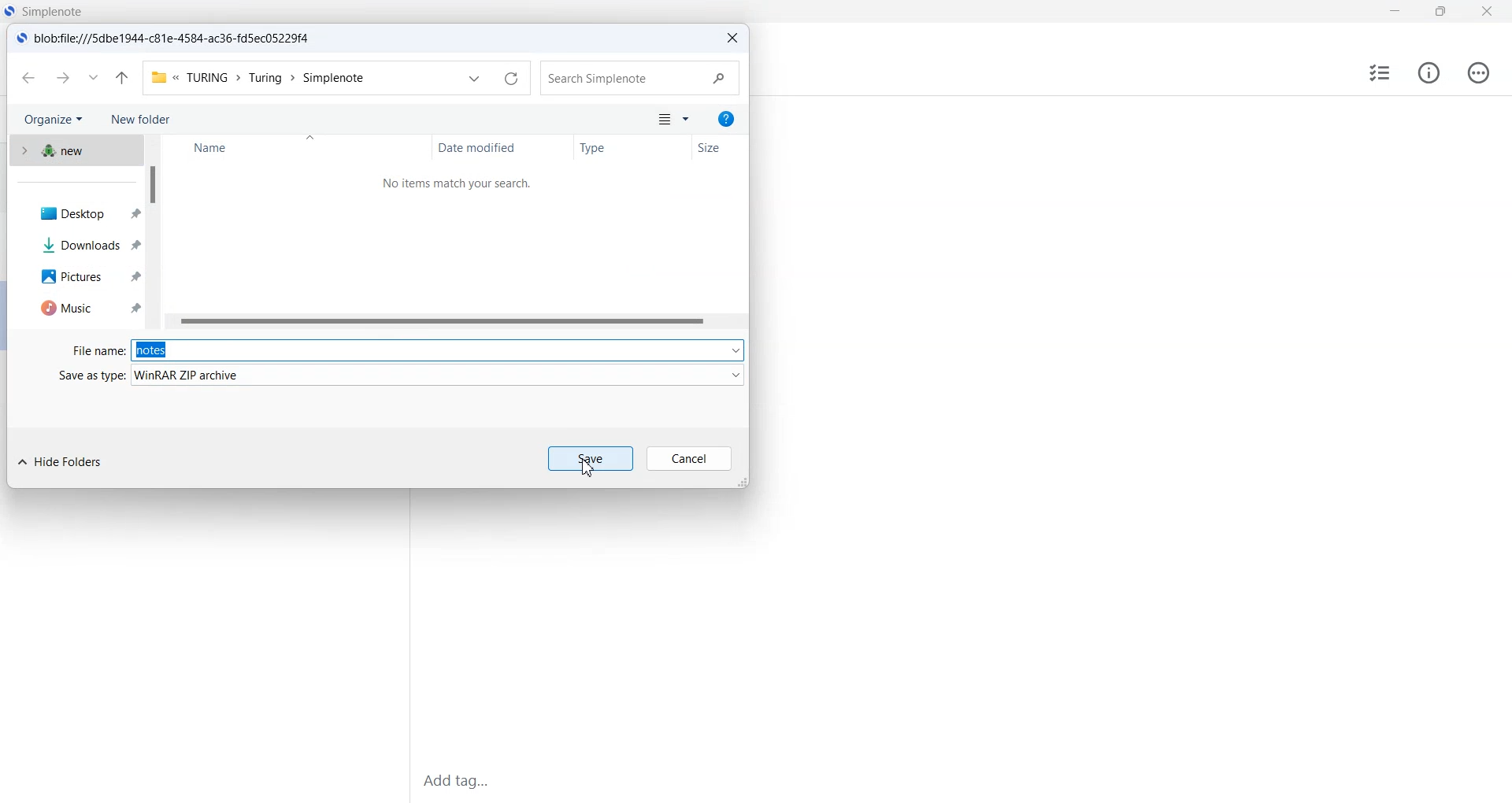 This screenshot has width=1512, height=803. What do you see at coordinates (257, 77) in the screenshot?
I see `File Path` at bounding box center [257, 77].